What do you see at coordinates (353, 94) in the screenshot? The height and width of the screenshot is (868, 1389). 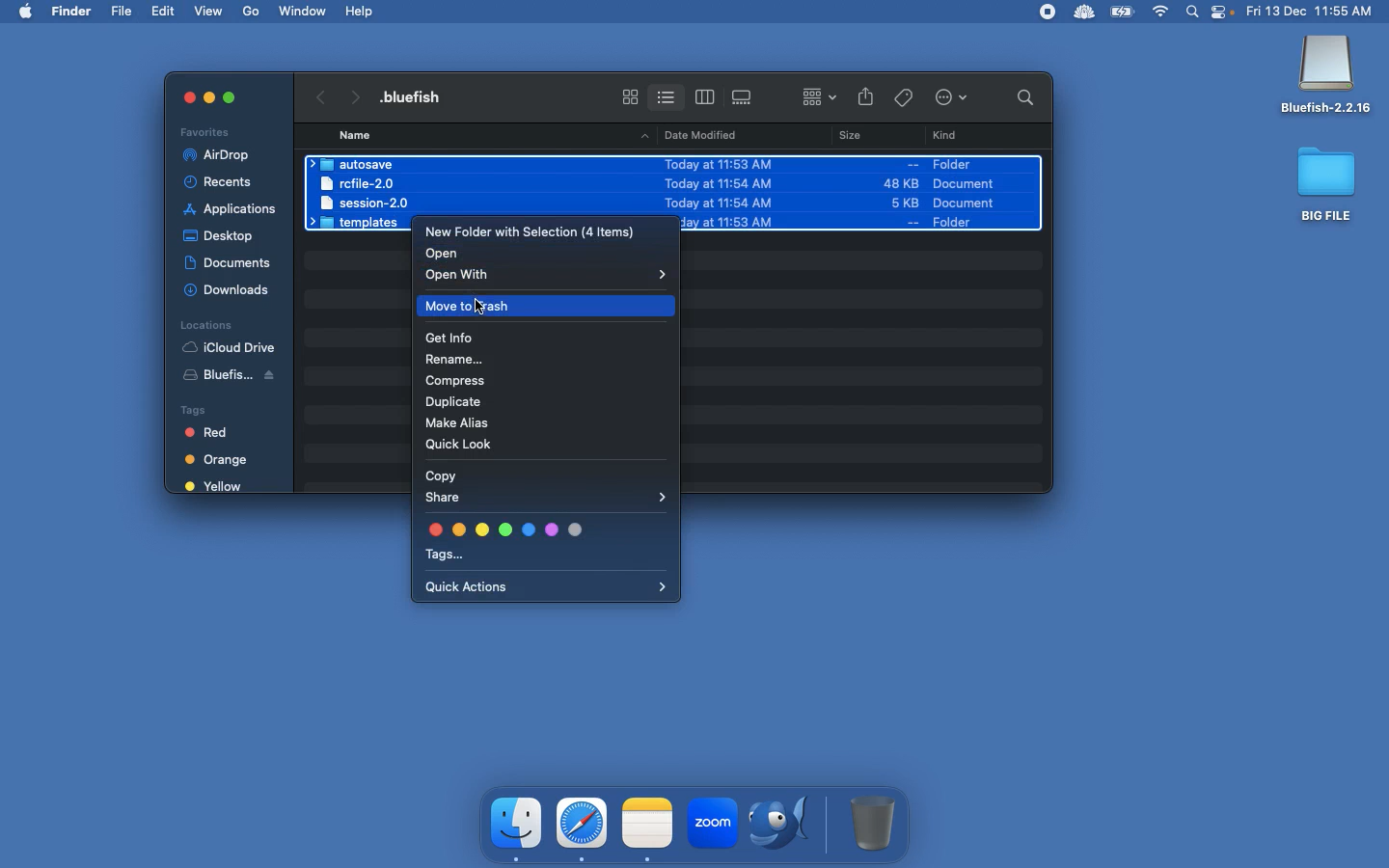 I see `go forward` at bounding box center [353, 94].